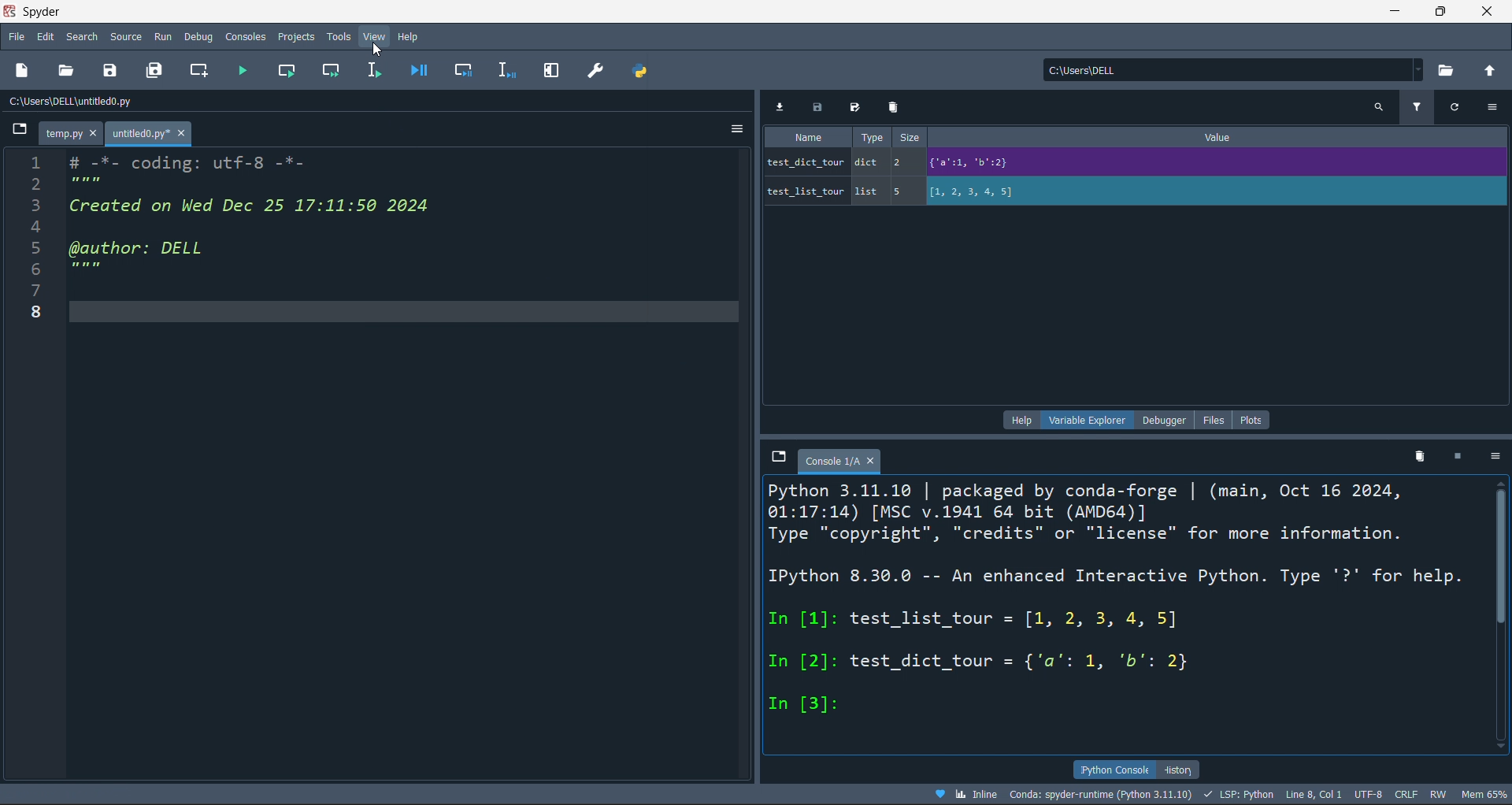 Image resolution: width=1512 pixels, height=805 pixels. What do you see at coordinates (902, 191) in the screenshot?
I see `5` at bounding box center [902, 191].